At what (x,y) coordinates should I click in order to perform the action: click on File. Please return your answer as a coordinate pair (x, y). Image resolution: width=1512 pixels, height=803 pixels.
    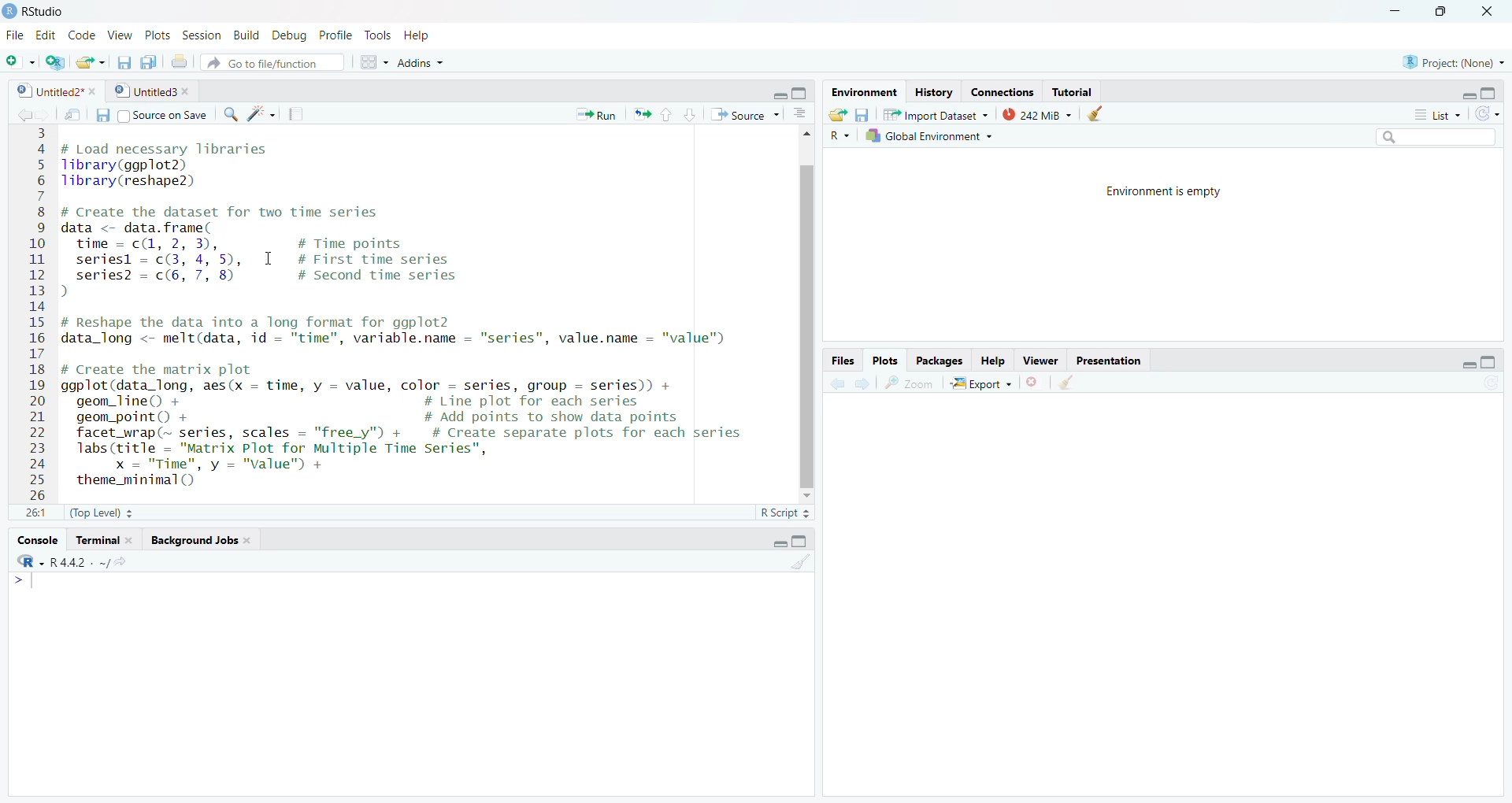
    Looking at the image, I should click on (17, 36).